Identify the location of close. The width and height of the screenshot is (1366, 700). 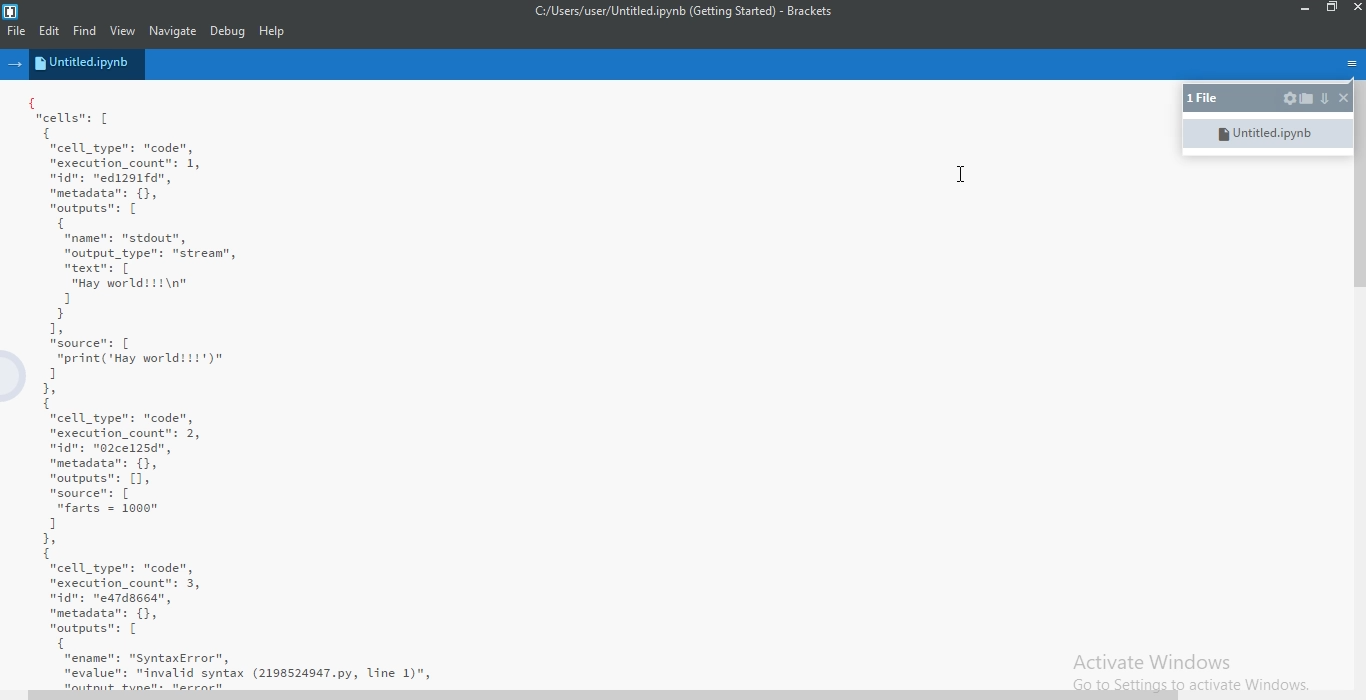
(1355, 11).